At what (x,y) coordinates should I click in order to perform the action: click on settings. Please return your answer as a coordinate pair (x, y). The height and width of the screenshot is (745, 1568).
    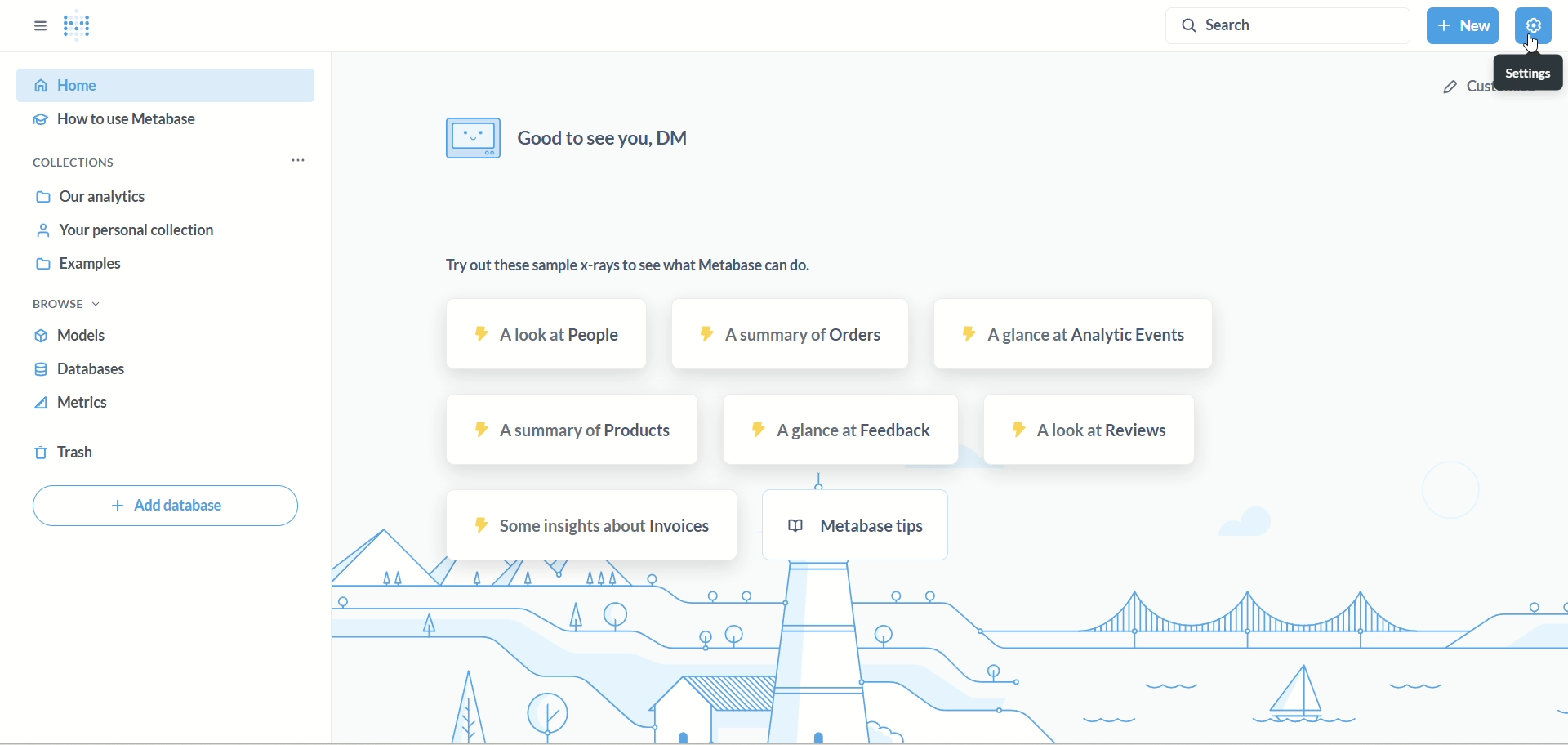
    Looking at the image, I should click on (1535, 26).